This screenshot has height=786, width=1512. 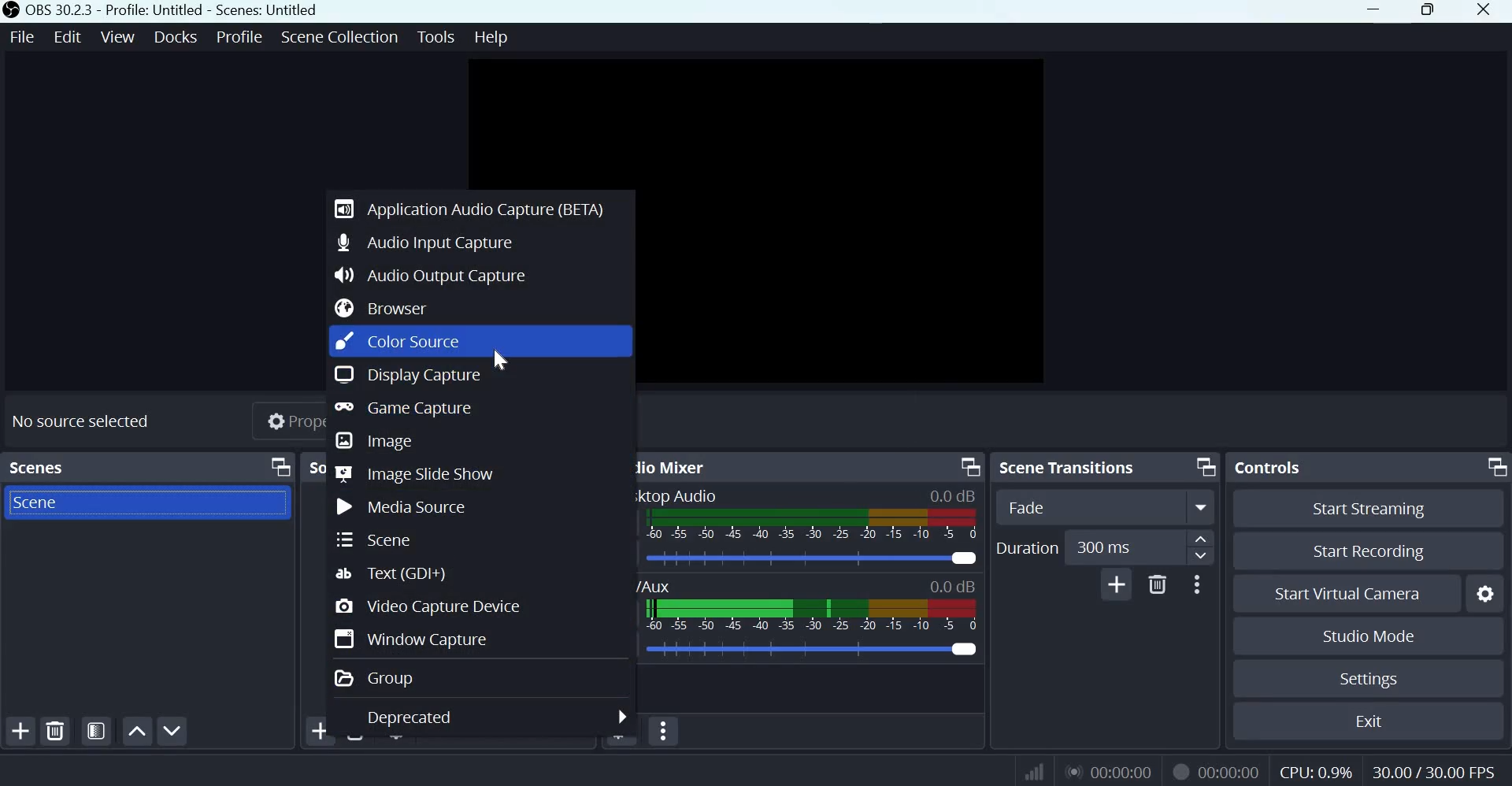 What do you see at coordinates (811, 614) in the screenshot?
I see `Volume Meter` at bounding box center [811, 614].